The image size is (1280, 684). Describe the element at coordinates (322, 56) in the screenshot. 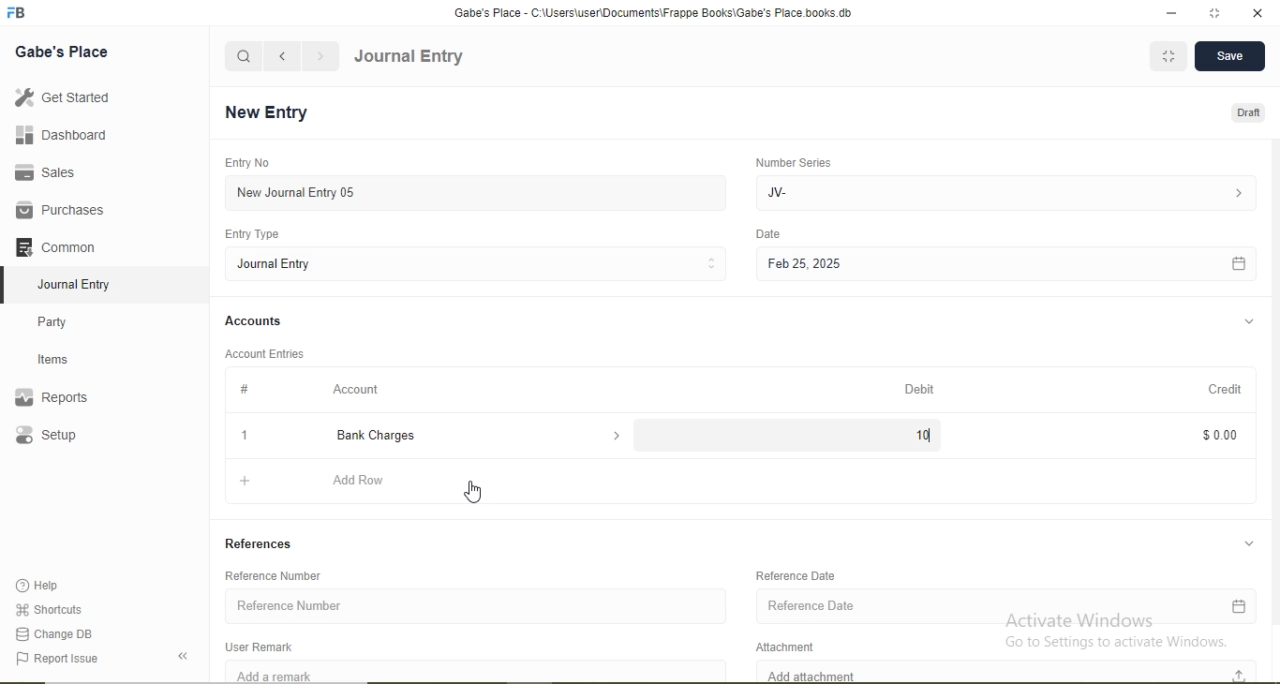

I see `navigate forward` at that location.